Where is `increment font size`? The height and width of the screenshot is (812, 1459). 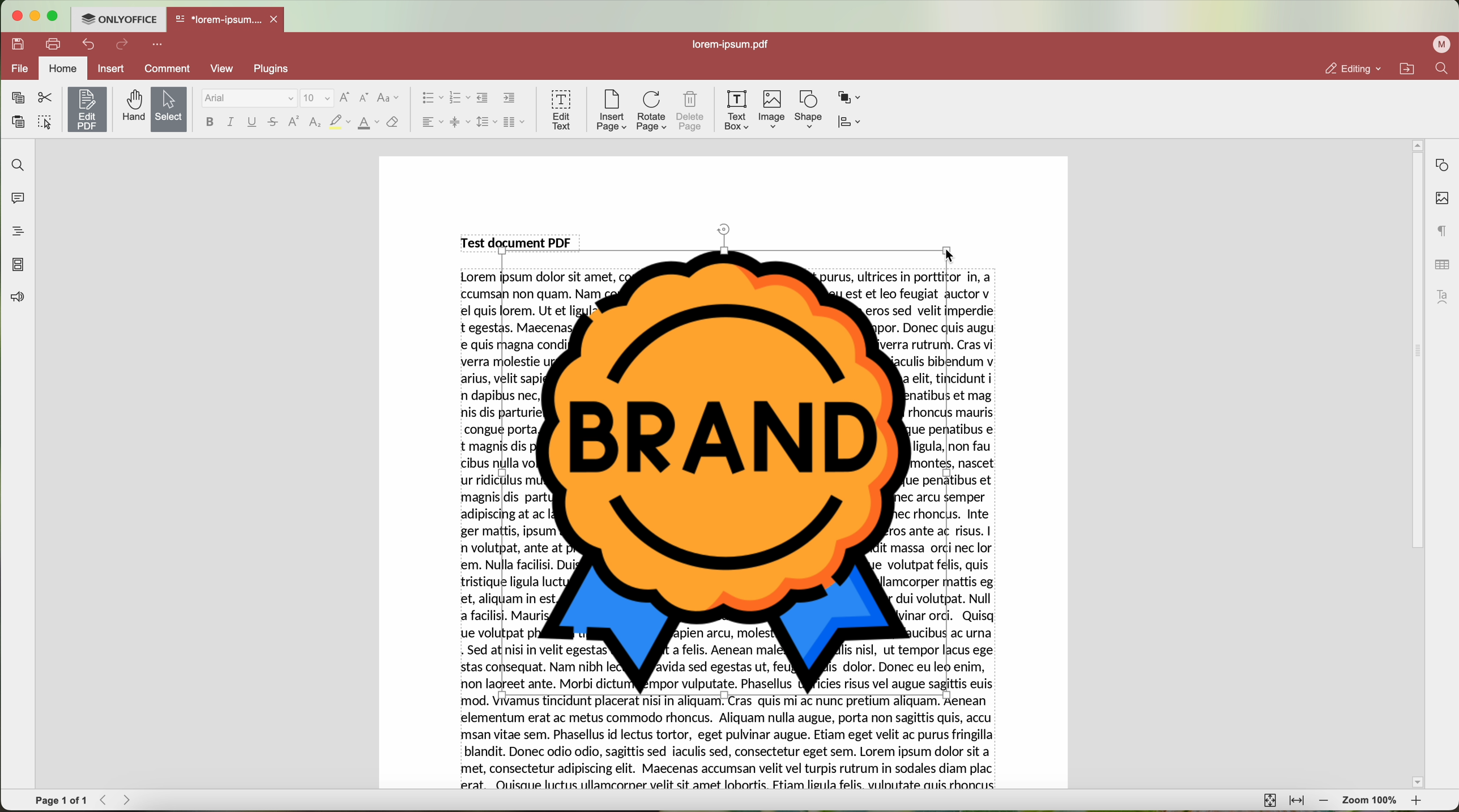 increment font size is located at coordinates (344, 97).